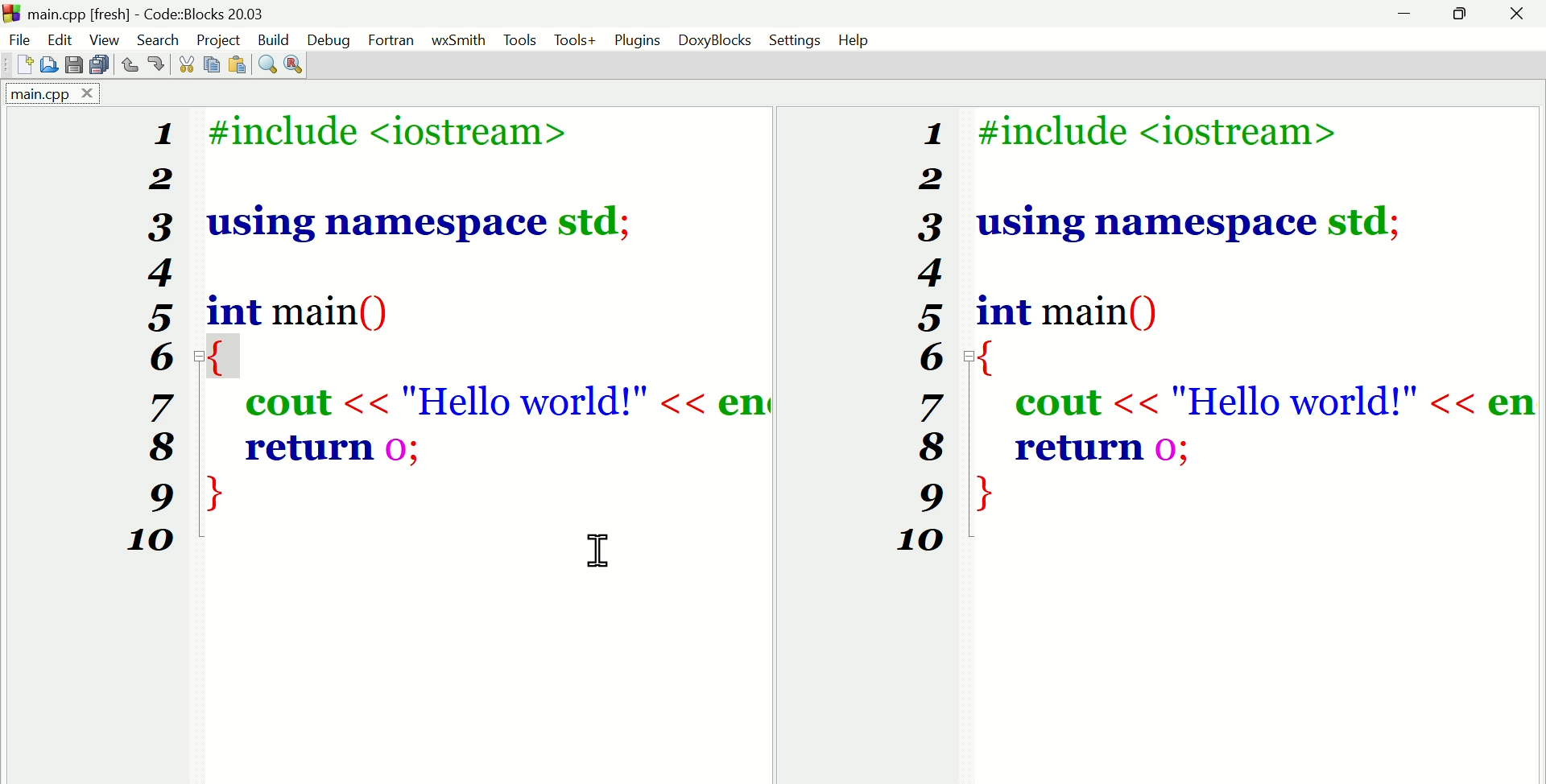  What do you see at coordinates (714, 41) in the screenshot?
I see `Doxyblocks` at bounding box center [714, 41].